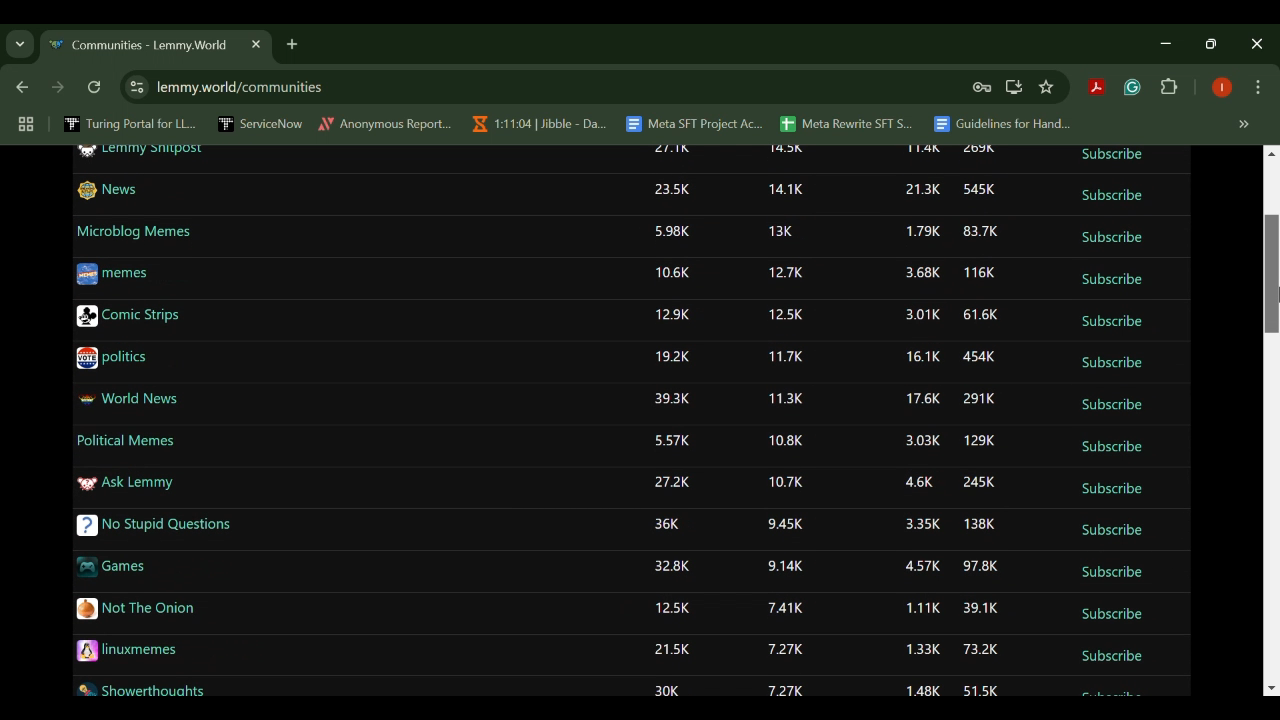 The height and width of the screenshot is (720, 1280). I want to click on politics, so click(114, 358).